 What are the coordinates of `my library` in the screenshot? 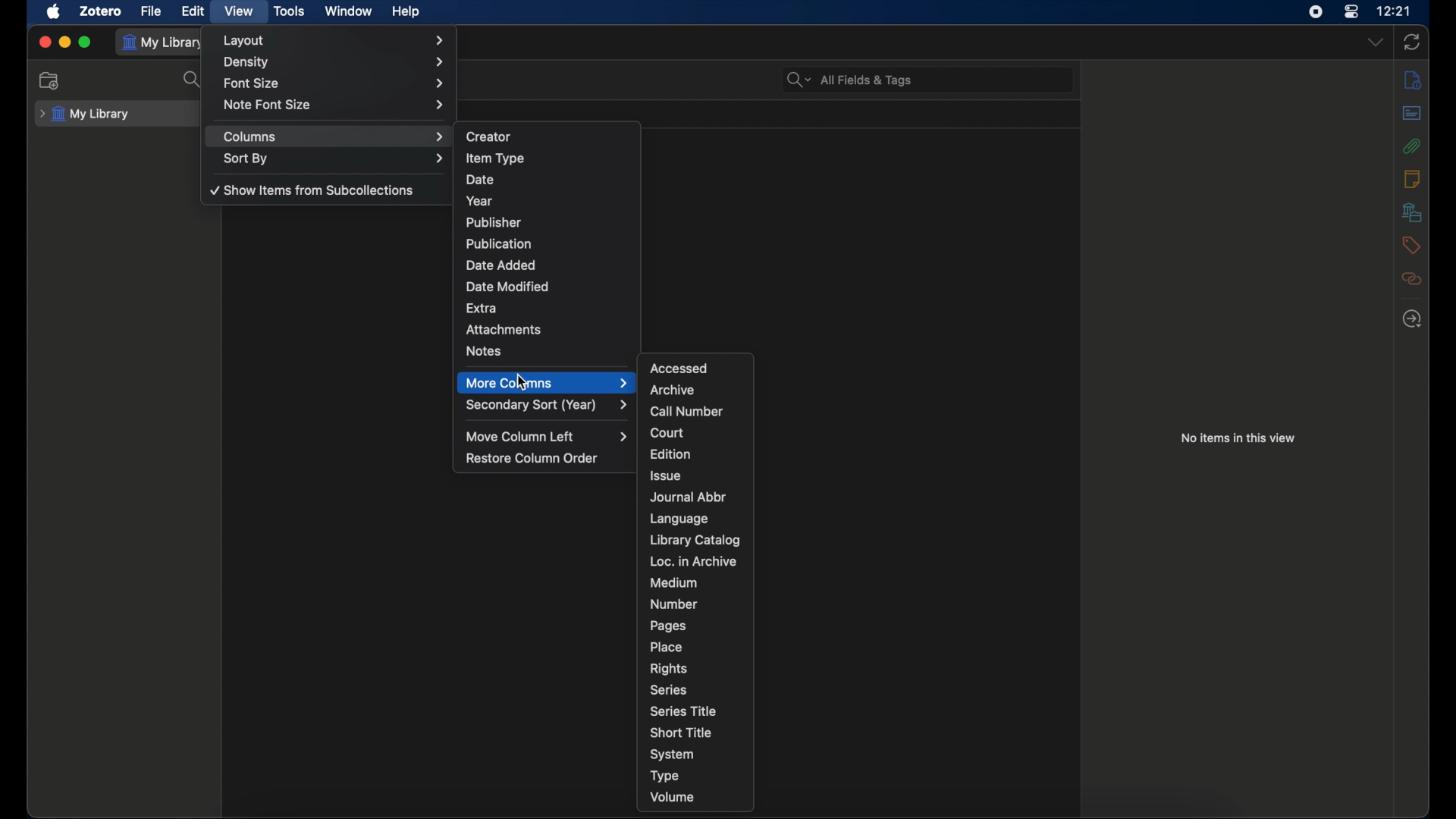 It's located at (164, 42).